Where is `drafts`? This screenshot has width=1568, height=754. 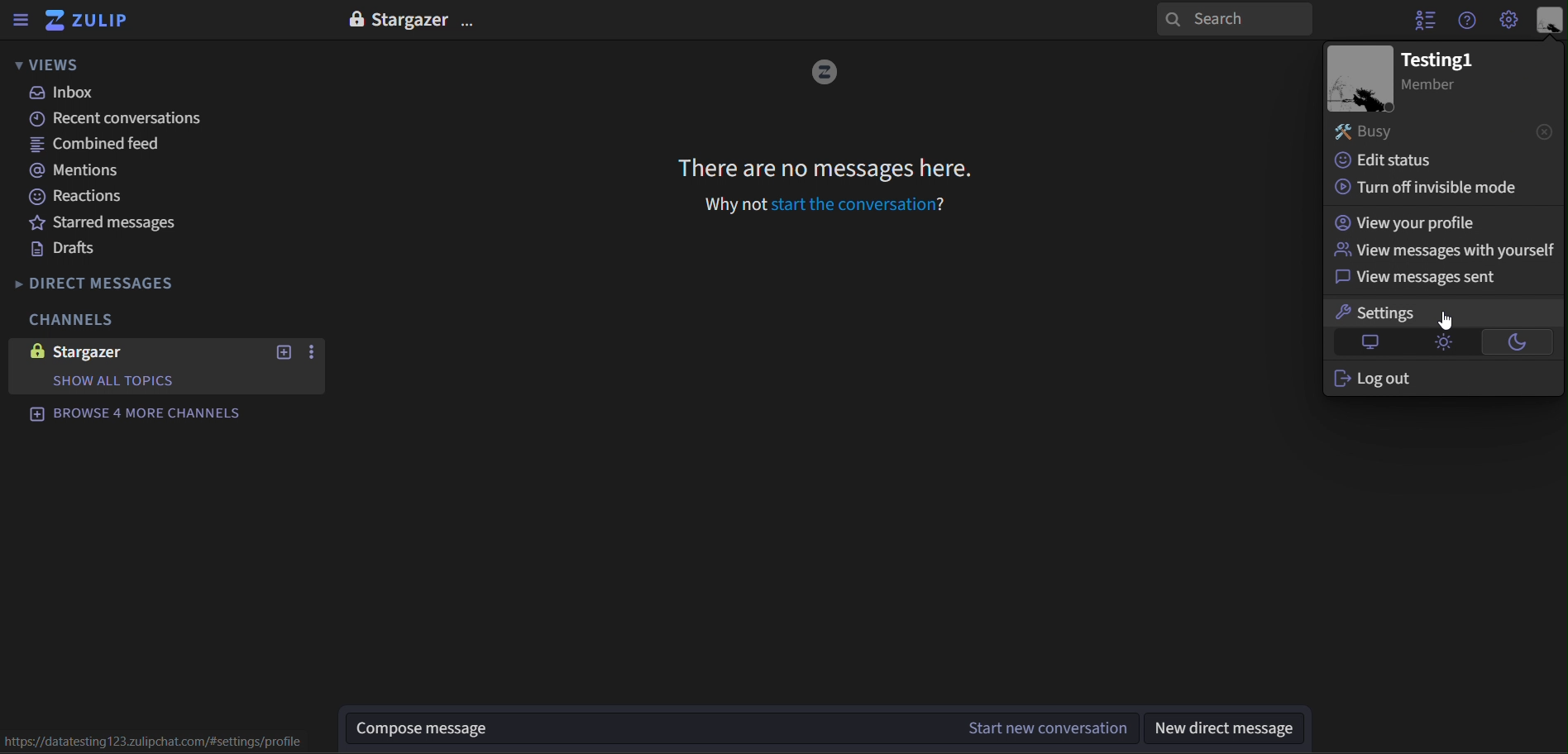
drafts is located at coordinates (67, 249).